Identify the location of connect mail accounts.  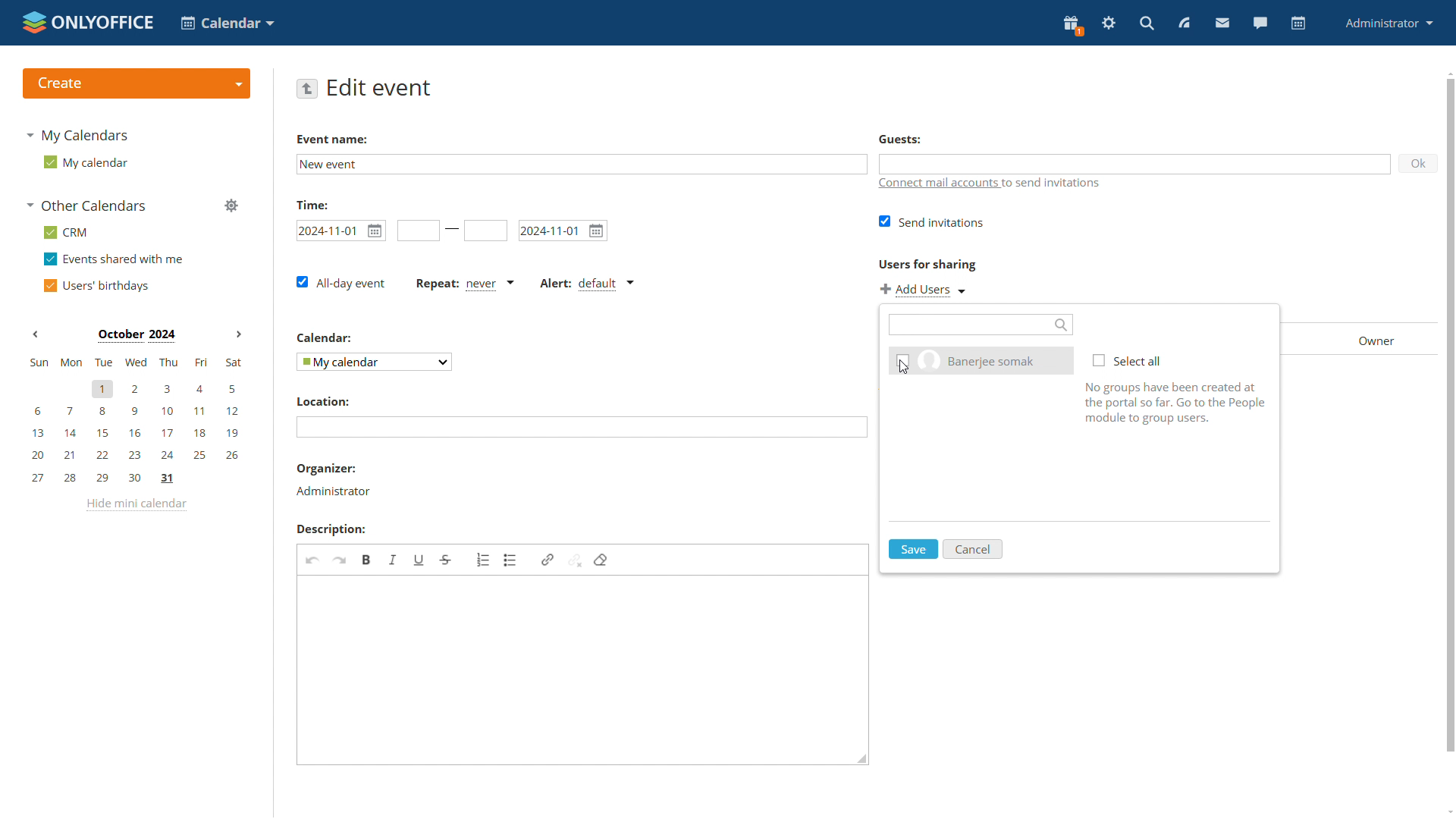
(988, 184).